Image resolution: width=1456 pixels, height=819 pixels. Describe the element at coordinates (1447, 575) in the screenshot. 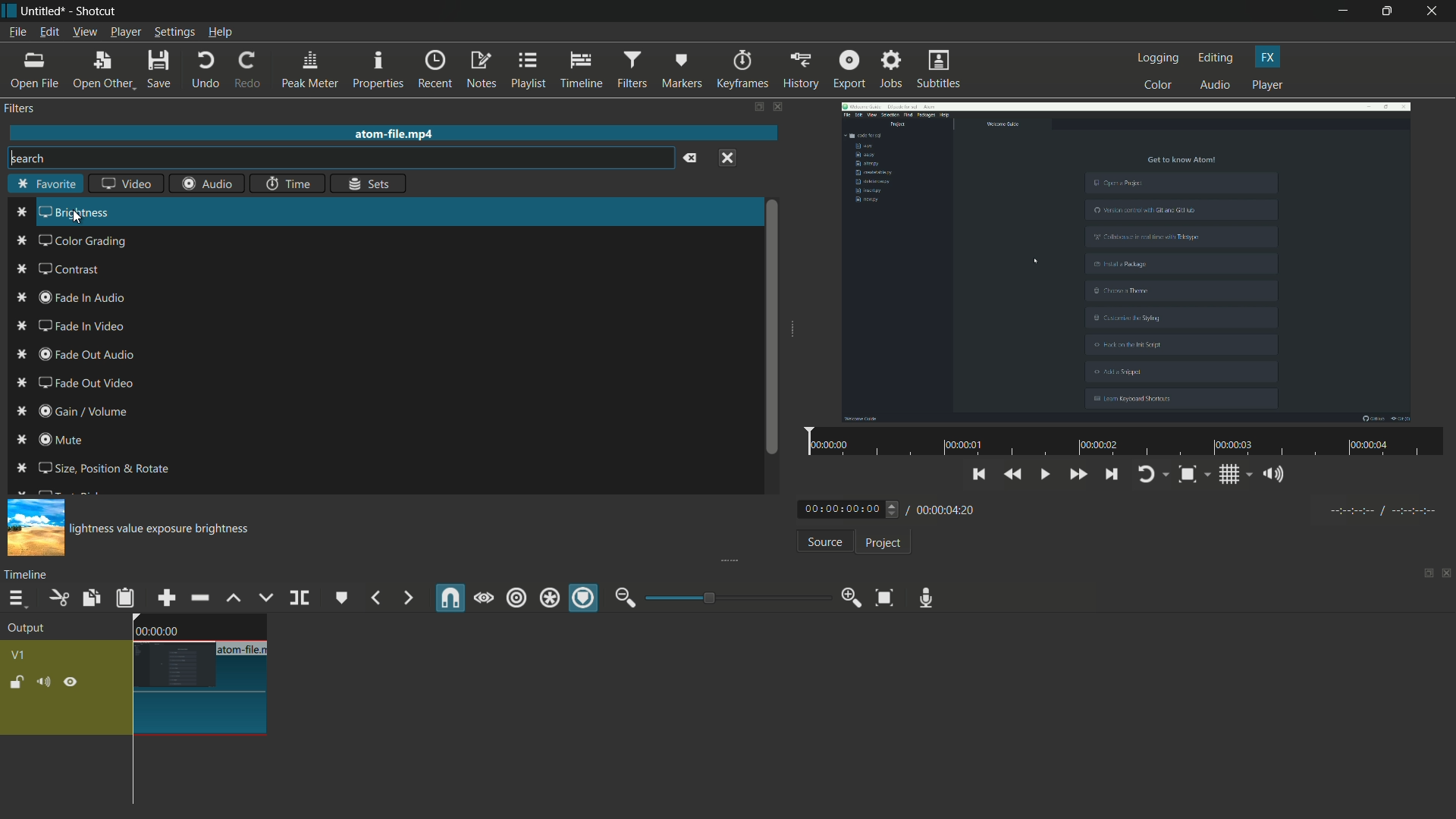

I see `close panel` at that location.